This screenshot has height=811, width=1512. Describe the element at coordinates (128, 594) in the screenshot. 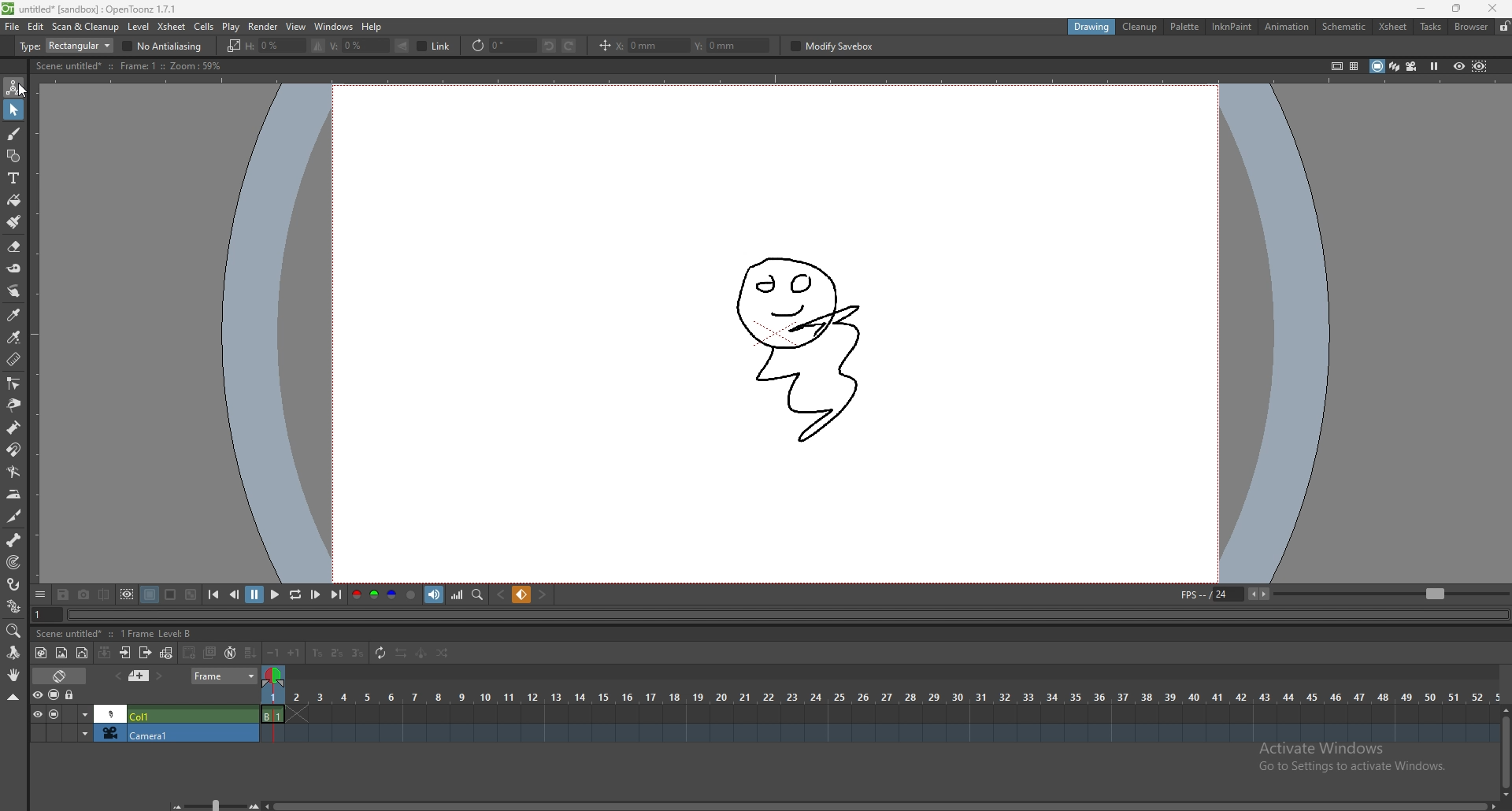

I see `define sub camera` at that location.